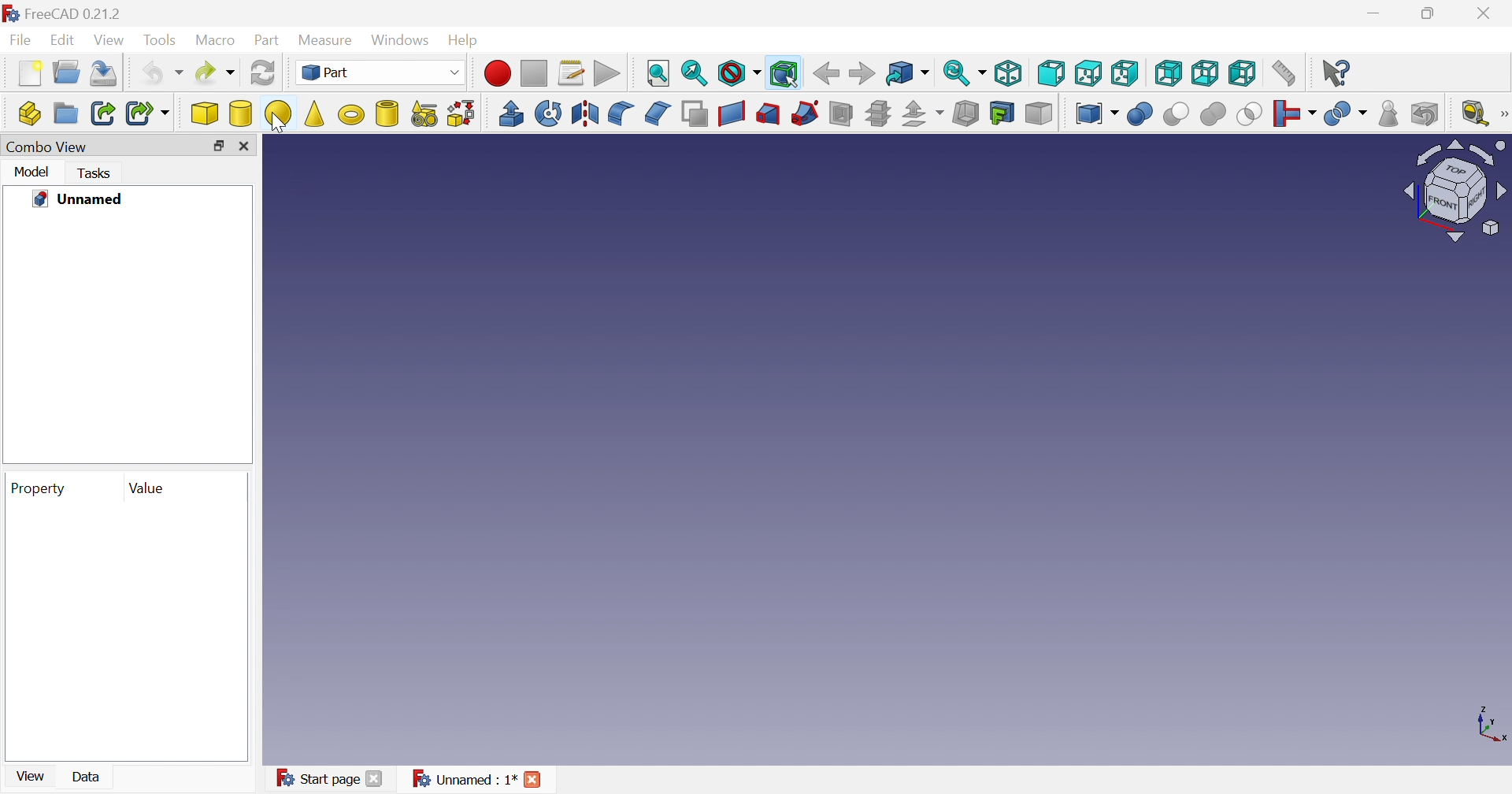 This screenshot has height=794, width=1512. Describe the element at coordinates (922, 113) in the screenshot. I see `Offset:` at that location.